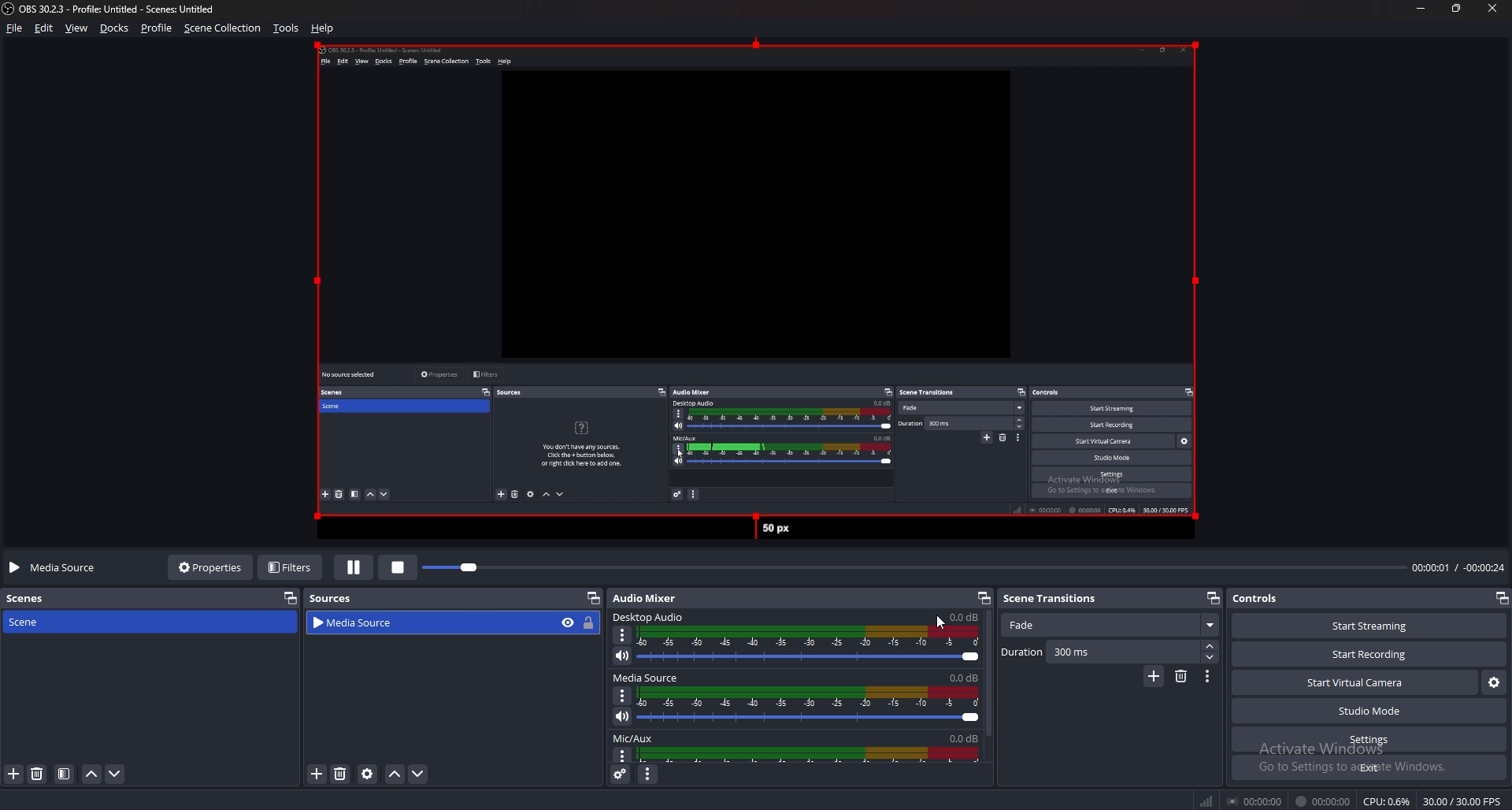  What do you see at coordinates (937, 624) in the screenshot?
I see `cursor` at bounding box center [937, 624].